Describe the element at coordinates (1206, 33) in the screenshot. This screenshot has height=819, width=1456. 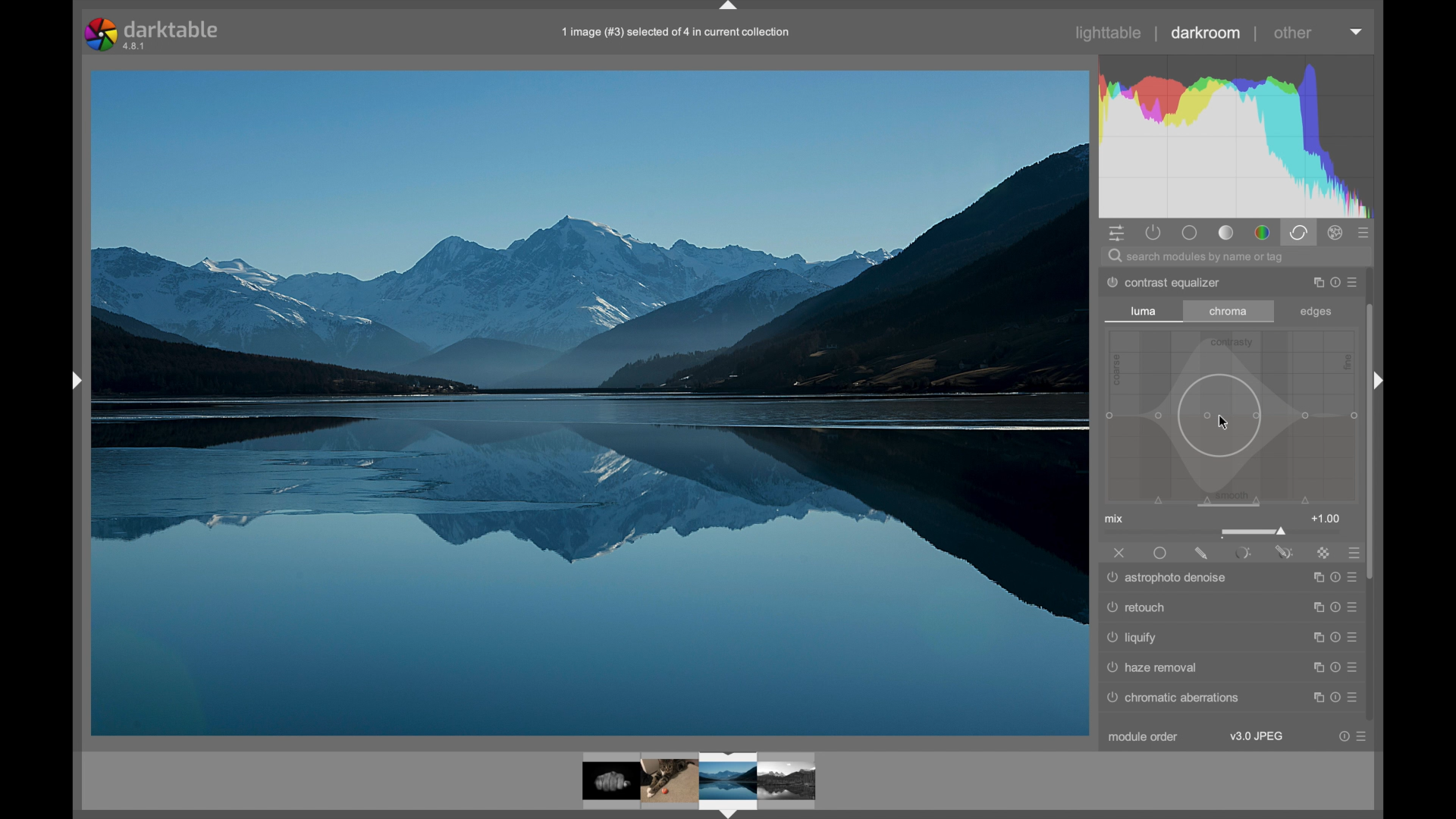
I see `darkroom` at that location.